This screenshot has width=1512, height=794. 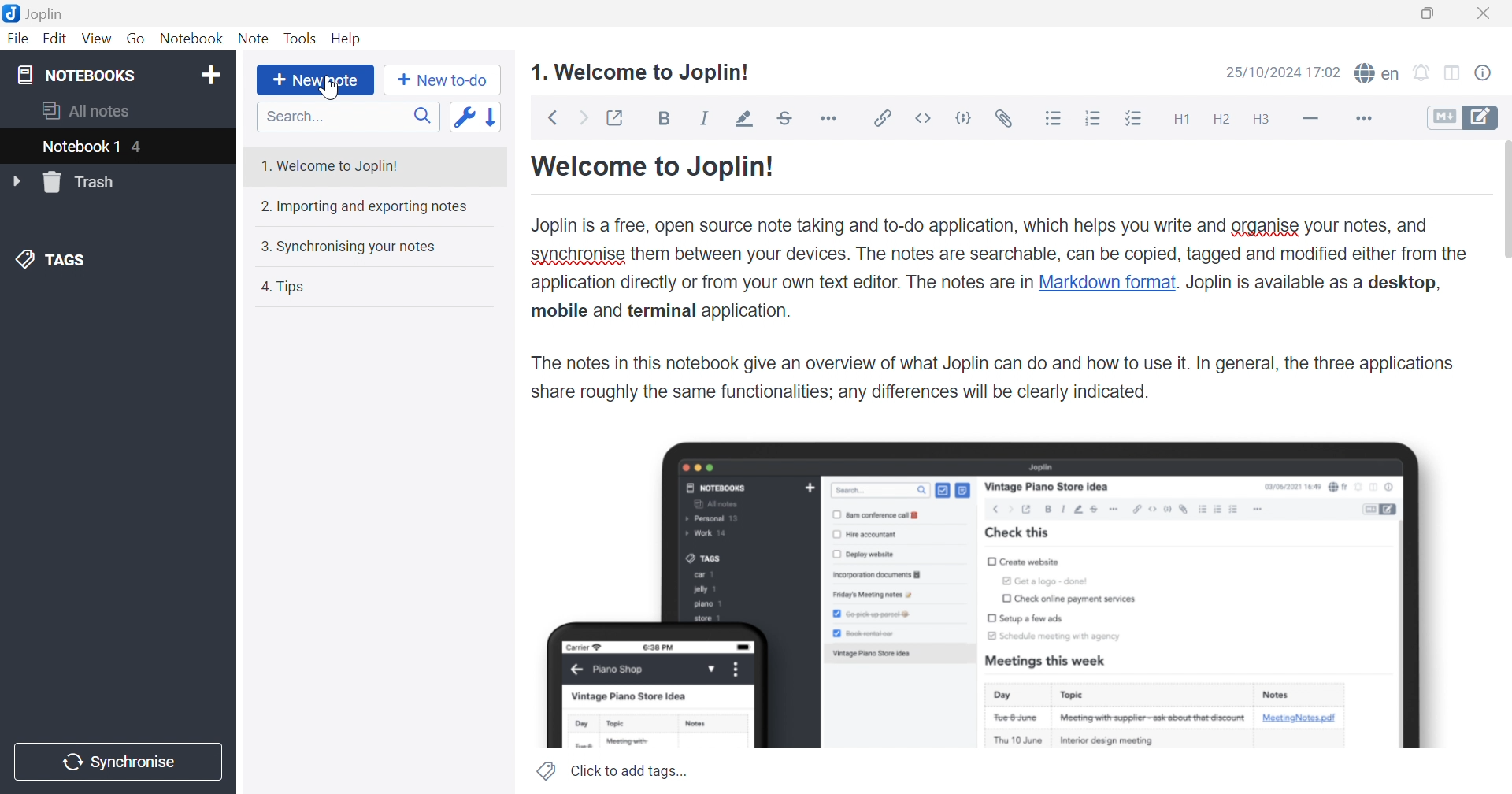 What do you see at coordinates (290, 286) in the screenshot?
I see `4. Tips` at bounding box center [290, 286].